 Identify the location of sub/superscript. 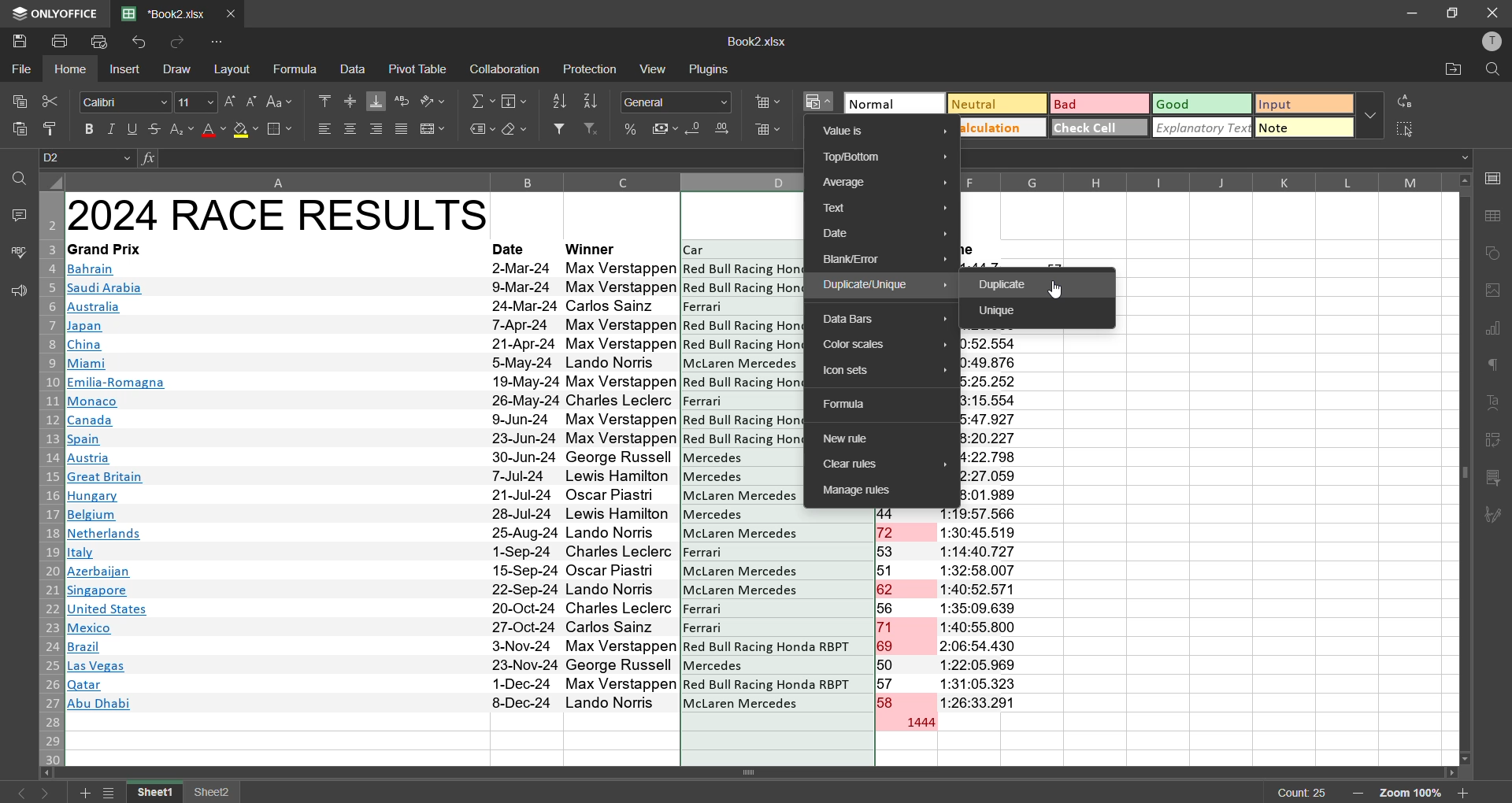
(180, 128).